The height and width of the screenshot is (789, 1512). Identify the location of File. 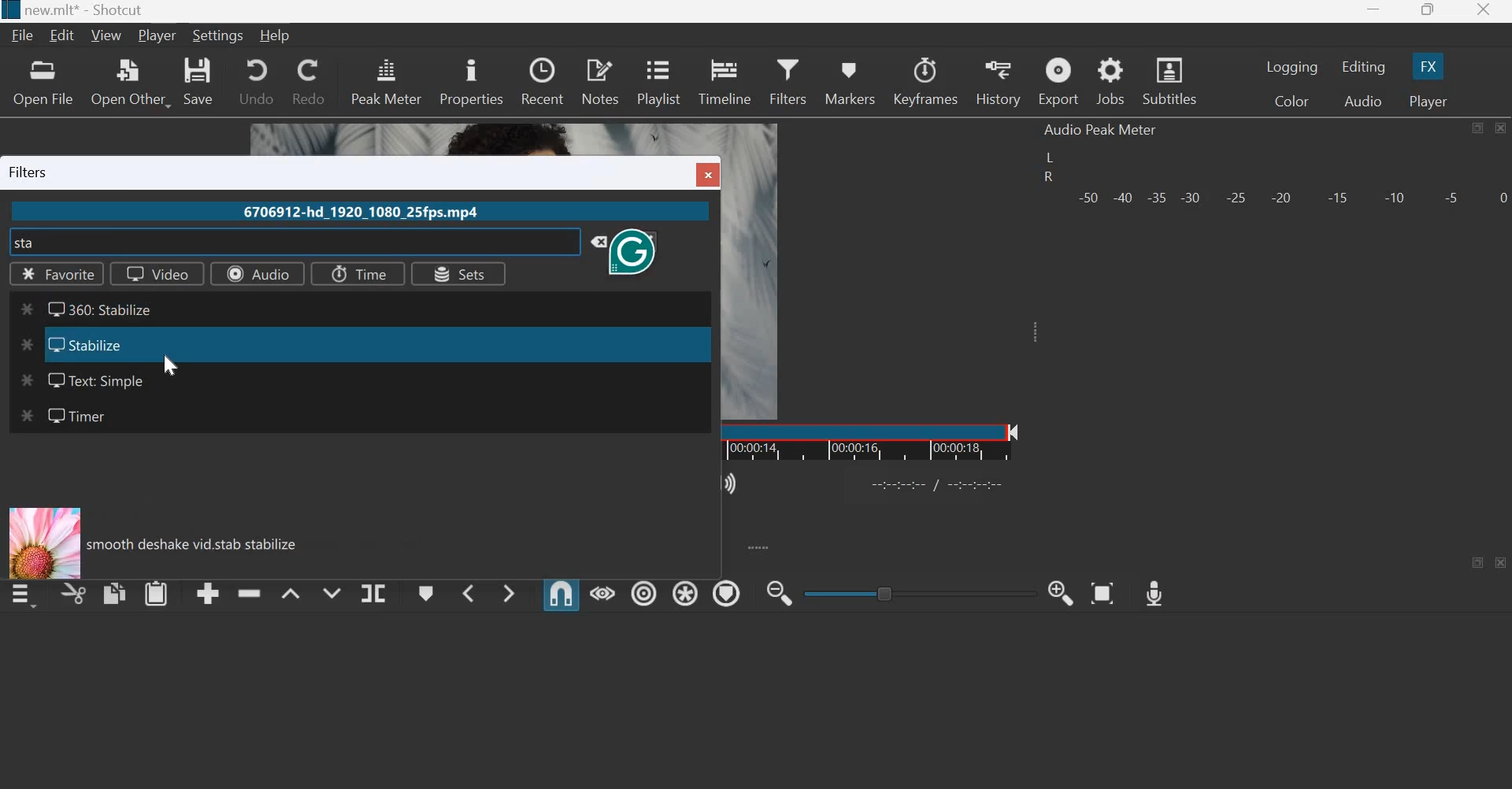
(23, 35).